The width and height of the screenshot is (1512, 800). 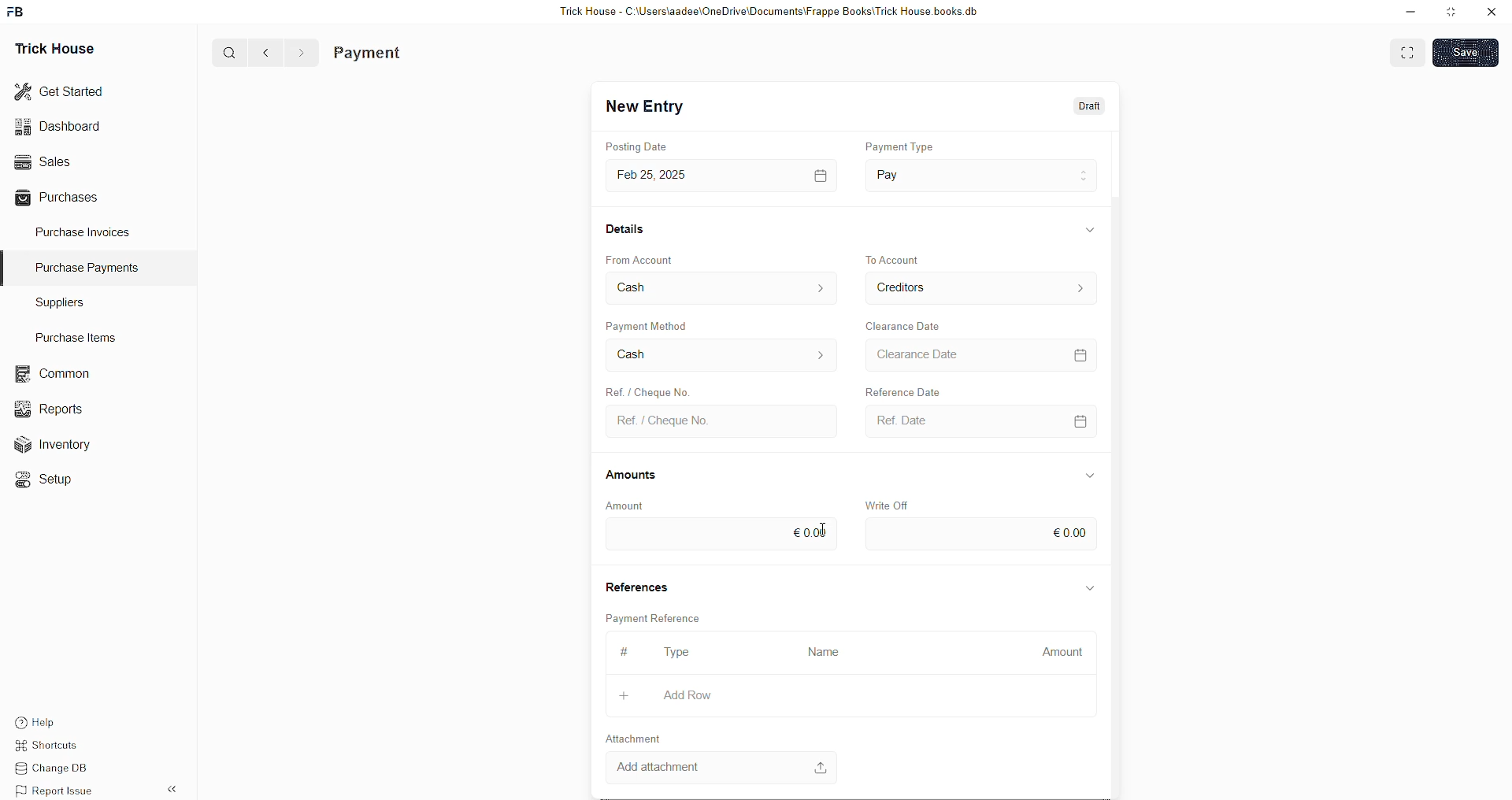 What do you see at coordinates (1080, 355) in the screenshot?
I see `calendar` at bounding box center [1080, 355].